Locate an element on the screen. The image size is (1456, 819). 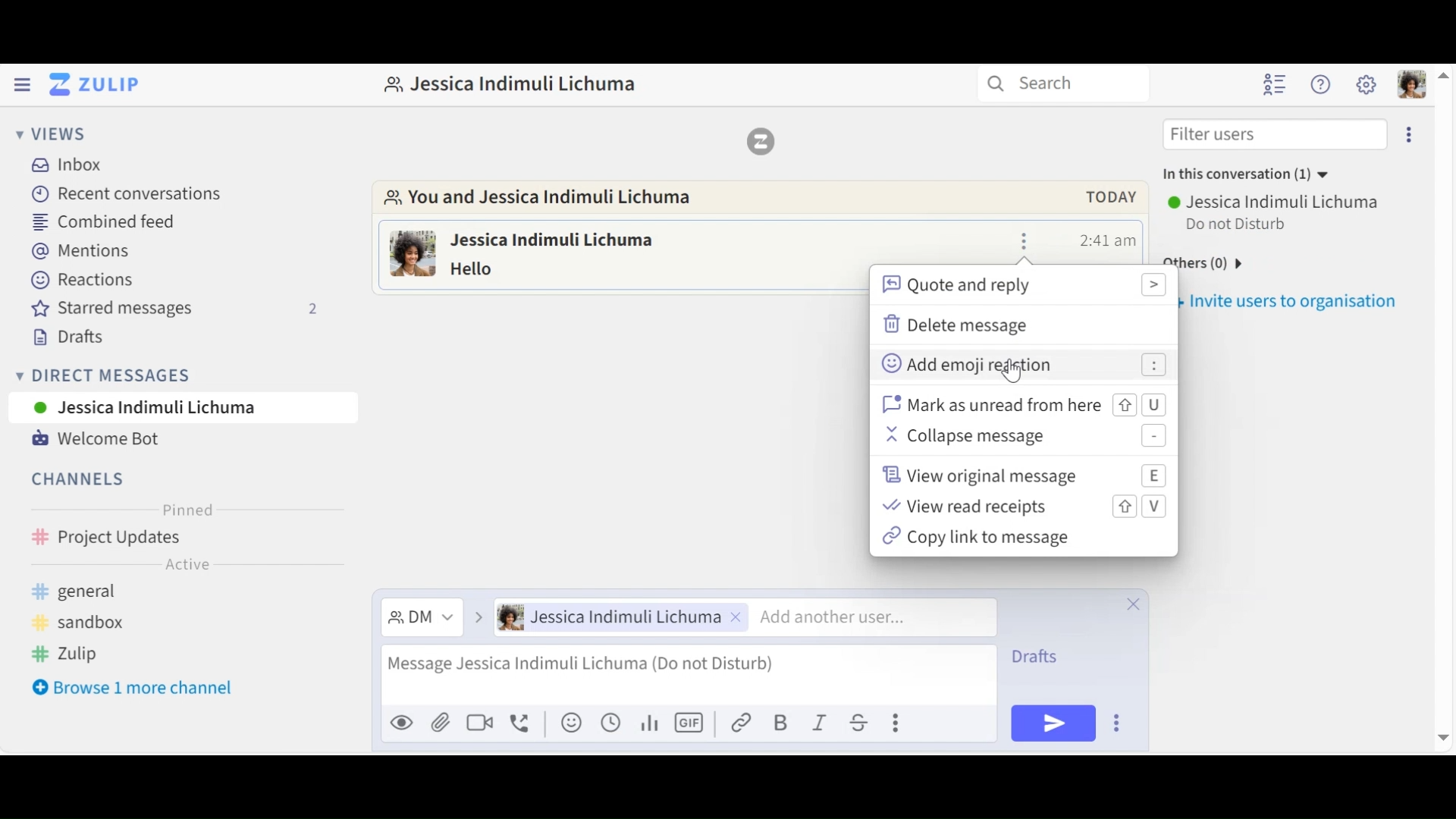
Time is located at coordinates (1109, 240).